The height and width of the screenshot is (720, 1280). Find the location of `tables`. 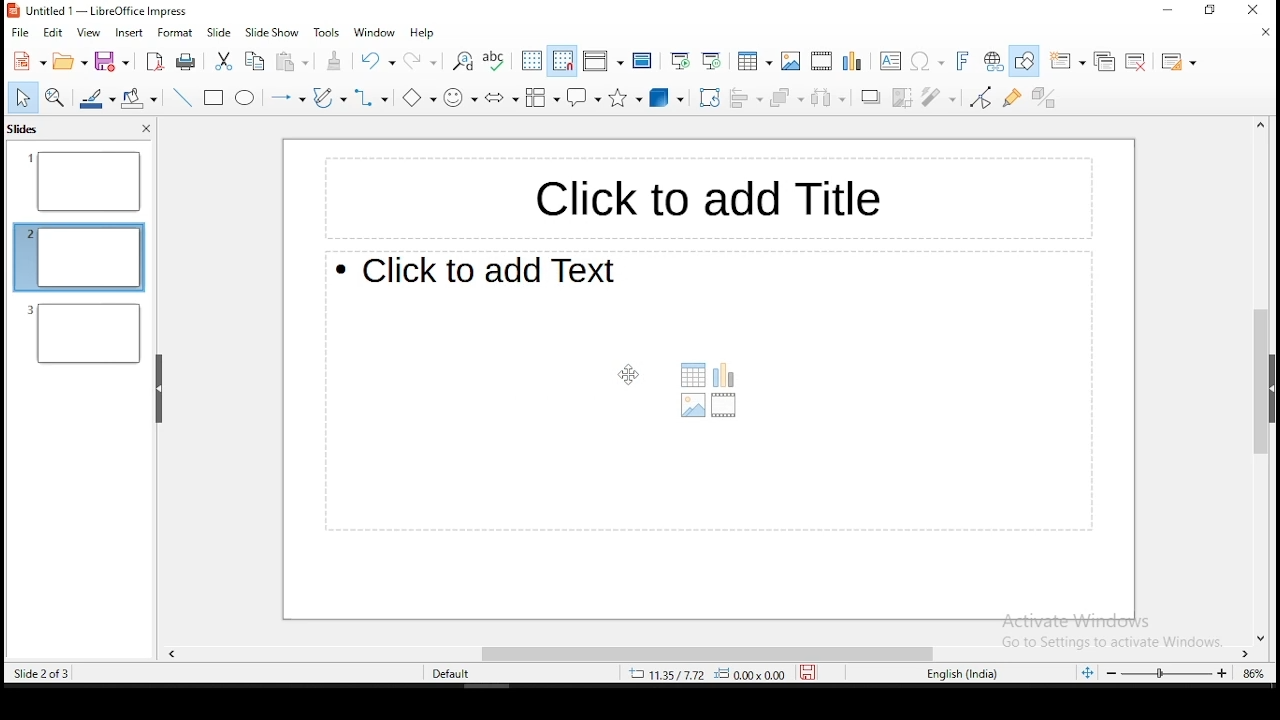

tables is located at coordinates (756, 61).